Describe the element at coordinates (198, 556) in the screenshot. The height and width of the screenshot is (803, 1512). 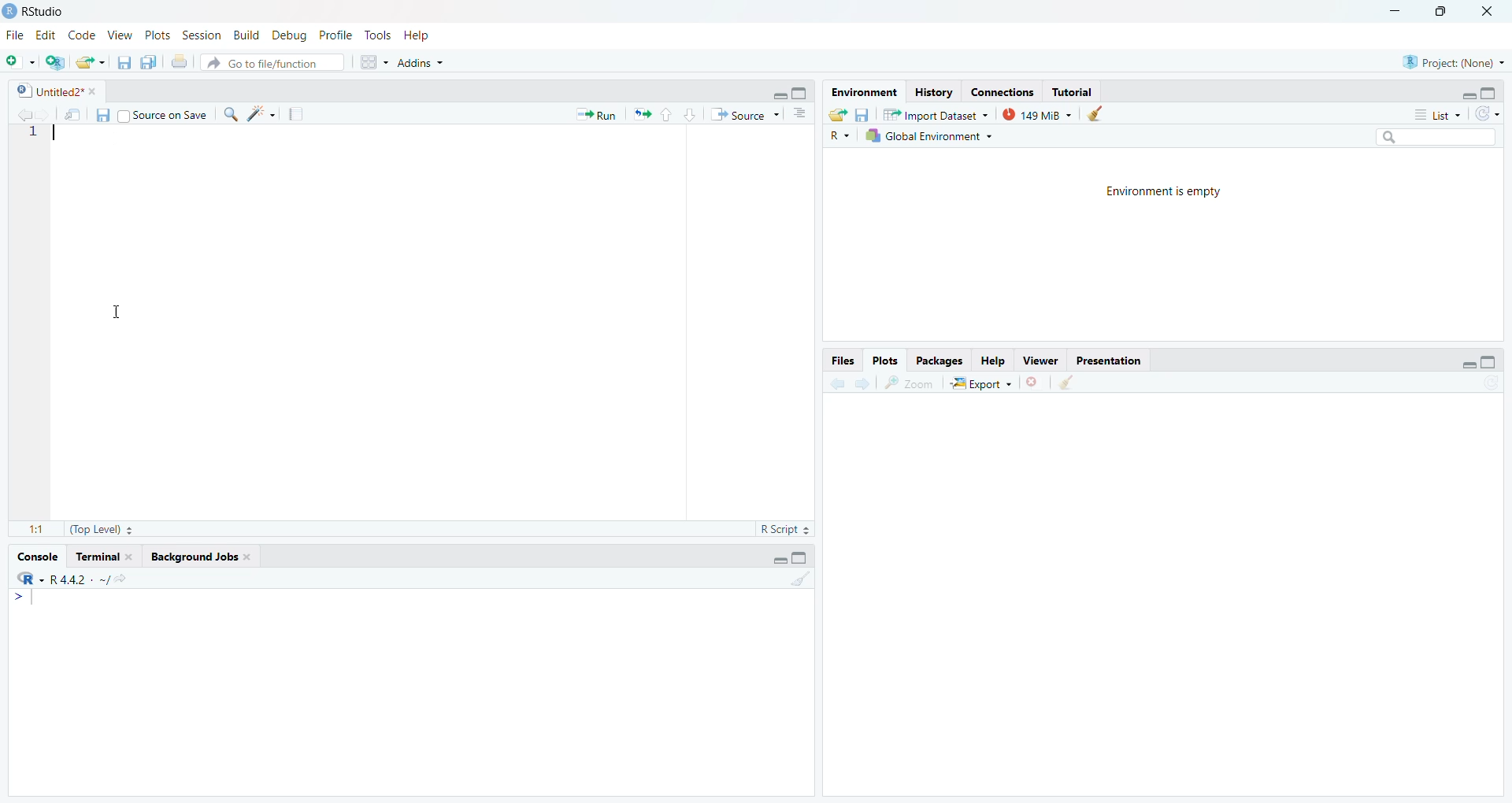
I see `Background Jobs` at that location.